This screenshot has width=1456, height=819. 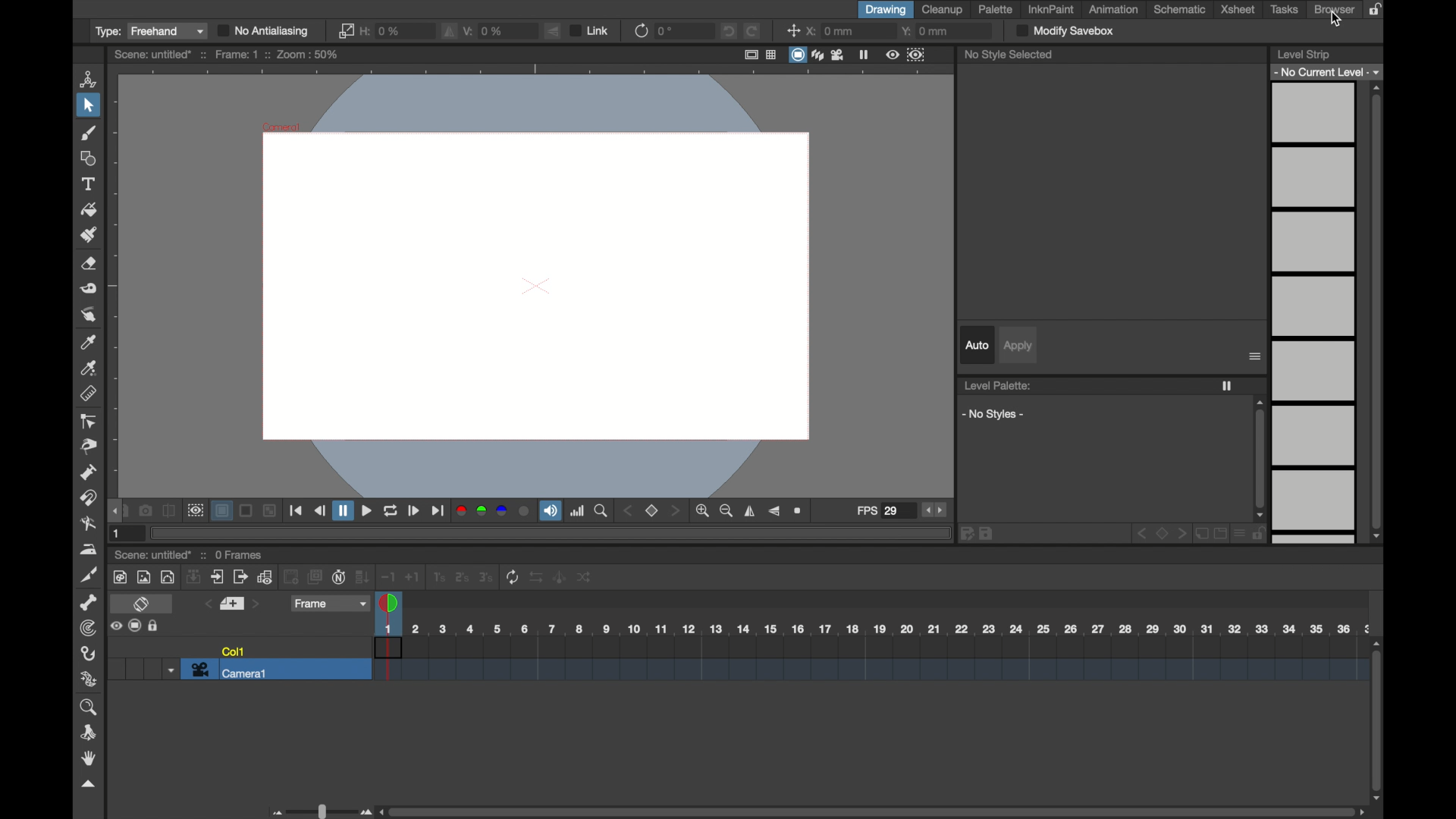 What do you see at coordinates (90, 234) in the screenshot?
I see `paint brush tool` at bounding box center [90, 234].